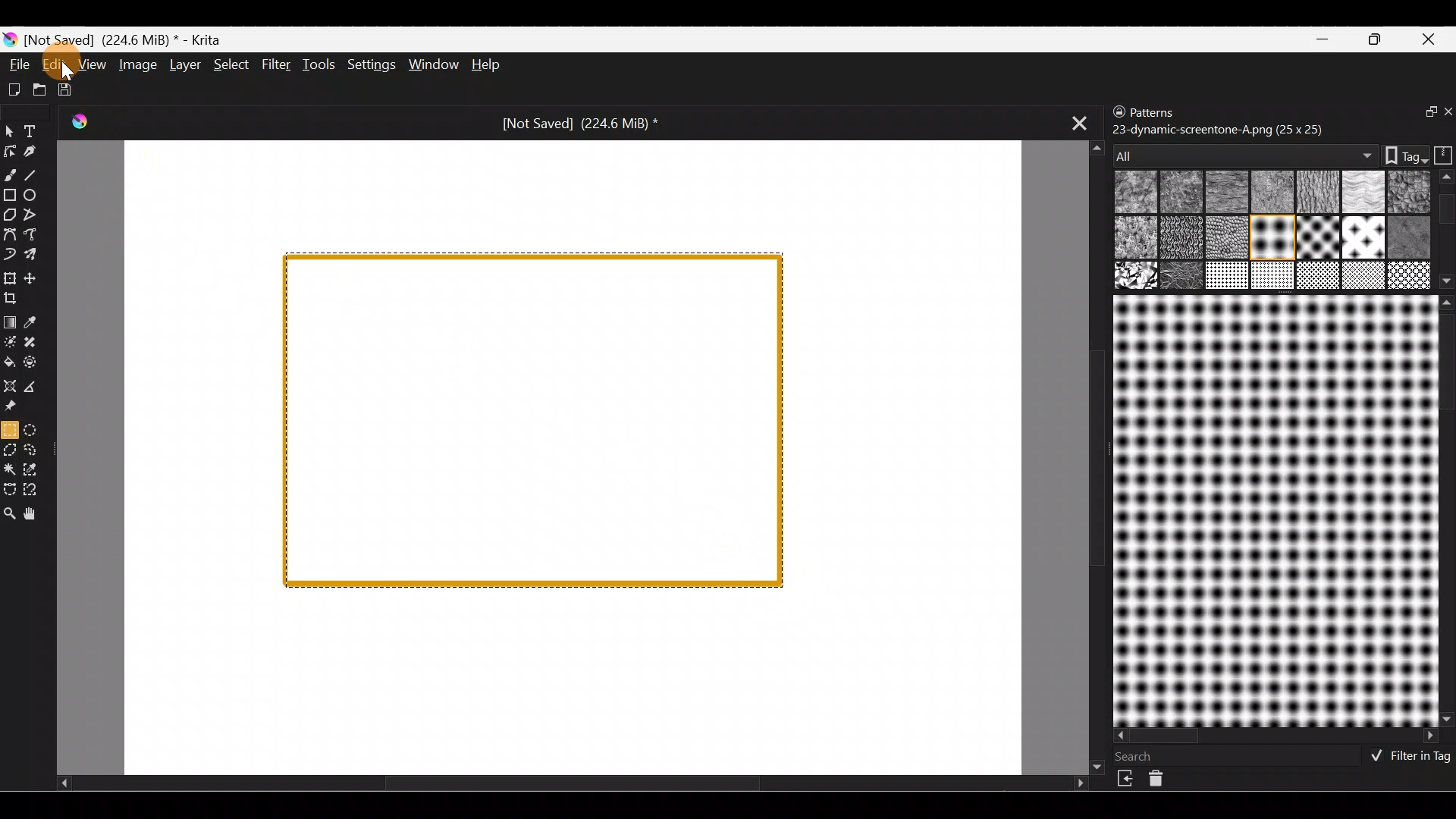 The image size is (1456, 819). What do you see at coordinates (9, 212) in the screenshot?
I see `Polygon tool` at bounding box center [9, 212].